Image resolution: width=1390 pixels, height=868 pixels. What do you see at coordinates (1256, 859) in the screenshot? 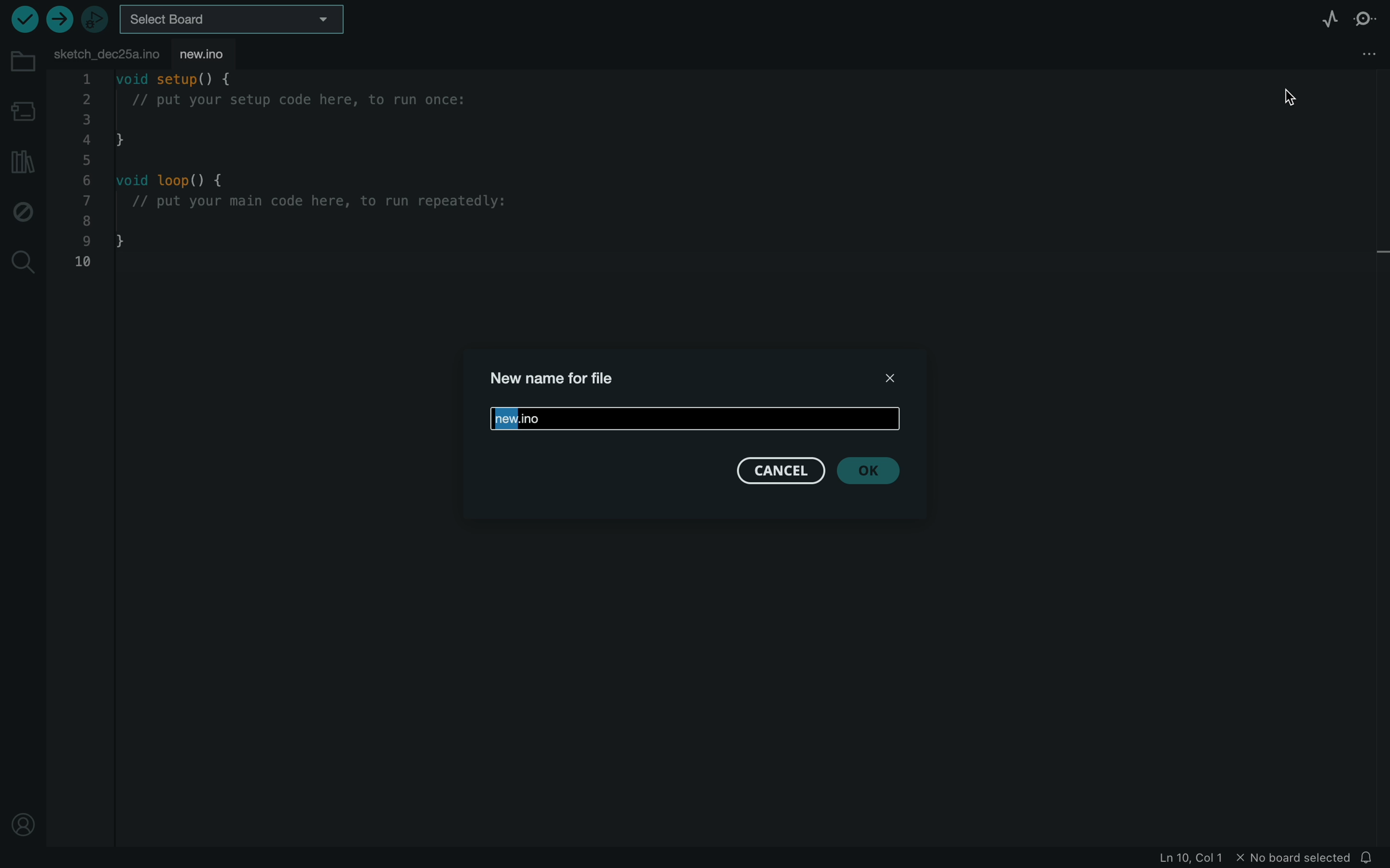
I see `file information` at bounding box center [1256, 859].